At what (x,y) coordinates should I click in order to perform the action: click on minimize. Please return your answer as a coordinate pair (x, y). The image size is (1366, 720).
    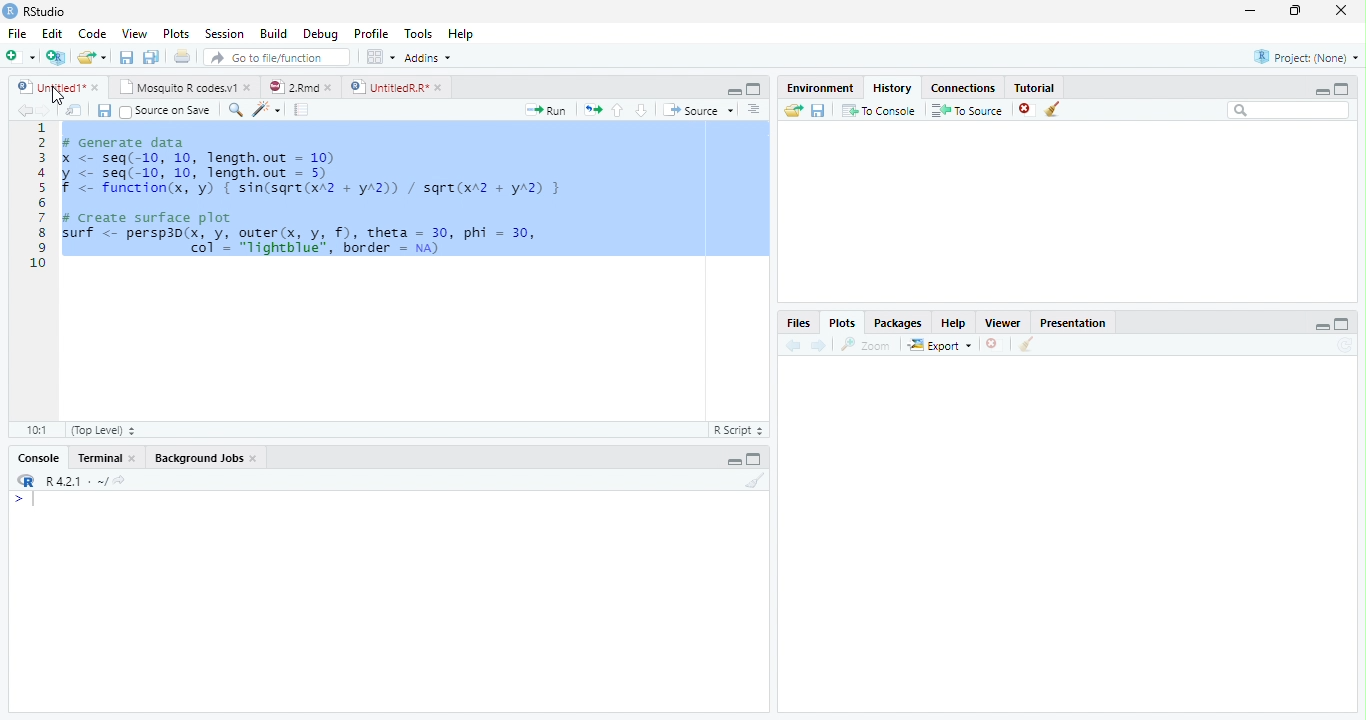
    Looking at the image, I should click on (1250, 10).